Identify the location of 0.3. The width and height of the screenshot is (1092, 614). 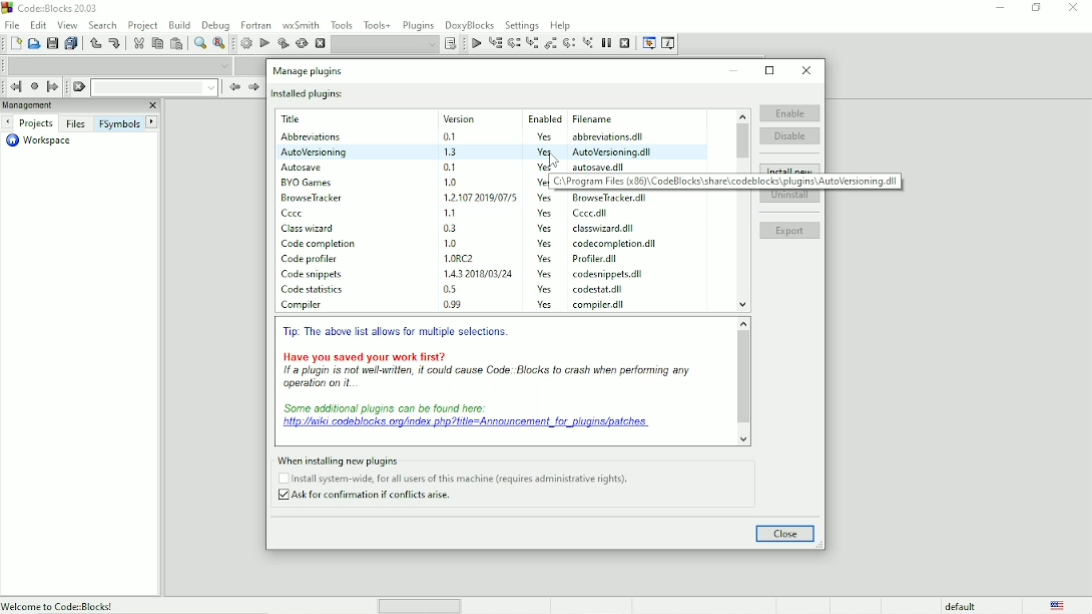
(451, 228).